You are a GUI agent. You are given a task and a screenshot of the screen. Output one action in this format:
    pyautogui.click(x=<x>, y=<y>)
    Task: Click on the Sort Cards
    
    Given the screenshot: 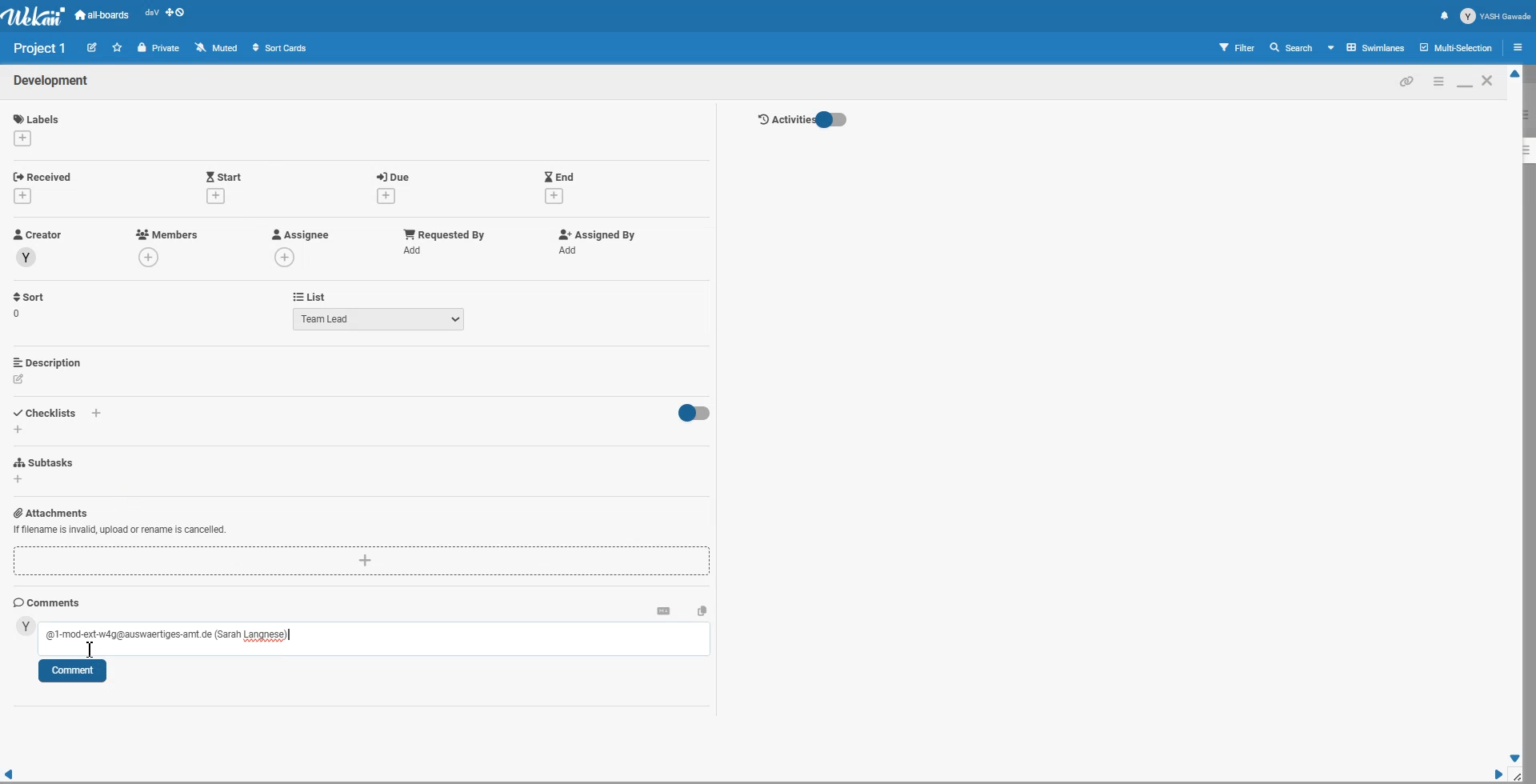 What is the action you would take?
    pyautogui.click(x=279, y=47)
    